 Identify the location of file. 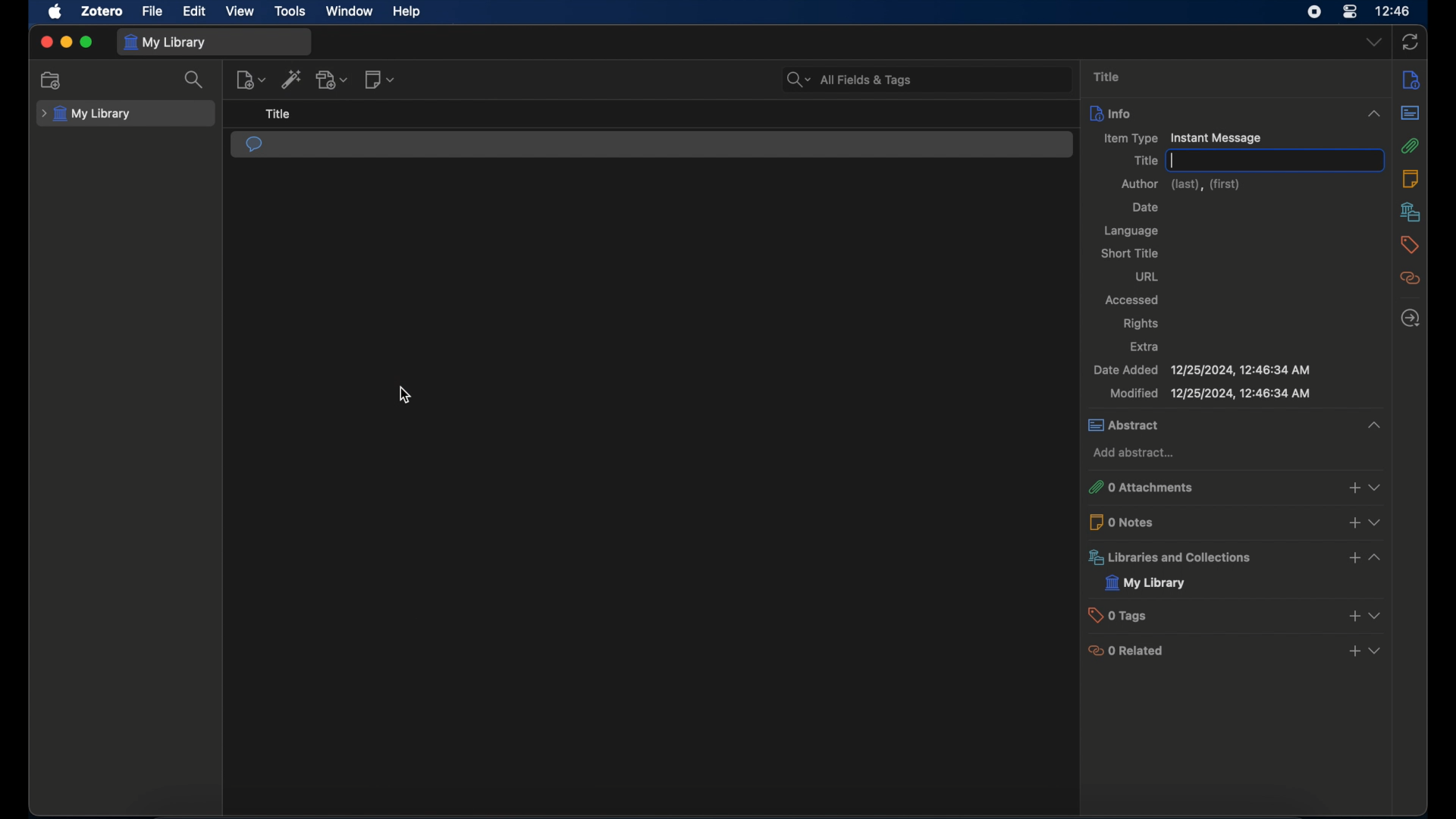
(153, 11).